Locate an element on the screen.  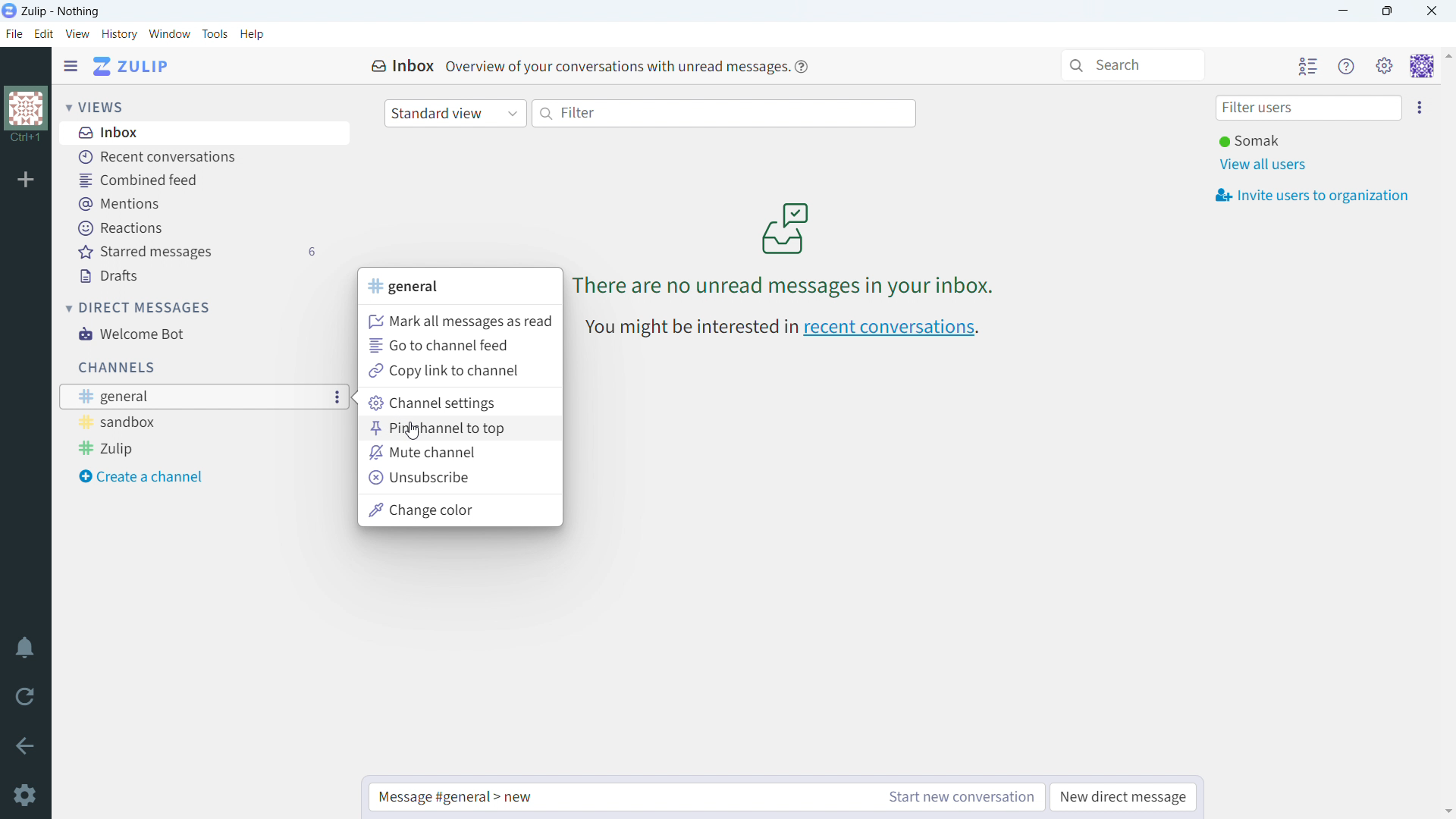
edit is located at coordinates (45, 33).